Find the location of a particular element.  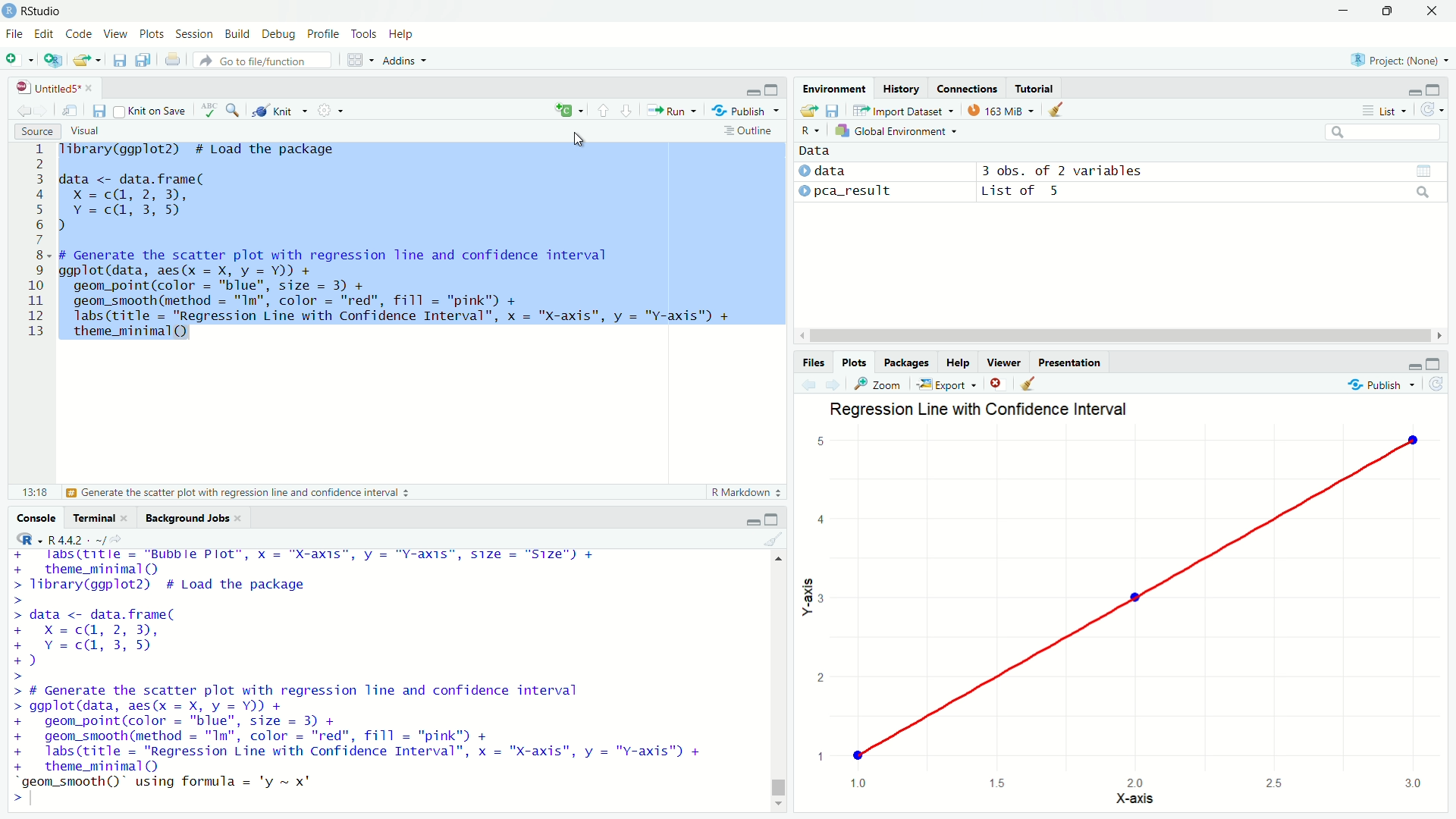

Regression Line with Confidence Interval is located at coordinates (980, 409).